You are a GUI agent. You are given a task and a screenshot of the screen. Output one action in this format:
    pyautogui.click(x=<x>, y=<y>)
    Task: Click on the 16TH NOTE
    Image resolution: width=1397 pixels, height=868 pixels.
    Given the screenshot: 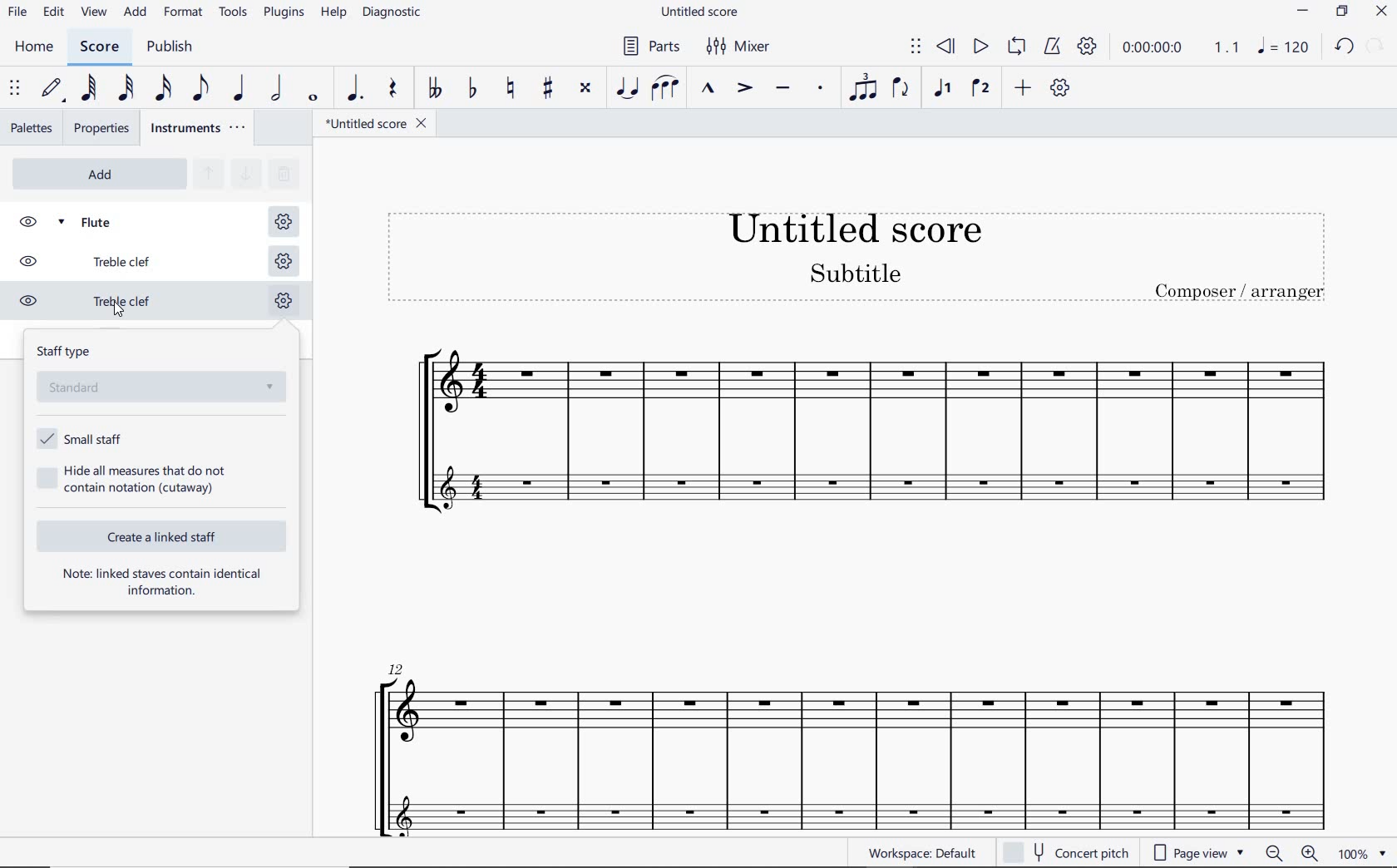 What is the action you would take?
    pyautogui.click(x=164, y=89)
    